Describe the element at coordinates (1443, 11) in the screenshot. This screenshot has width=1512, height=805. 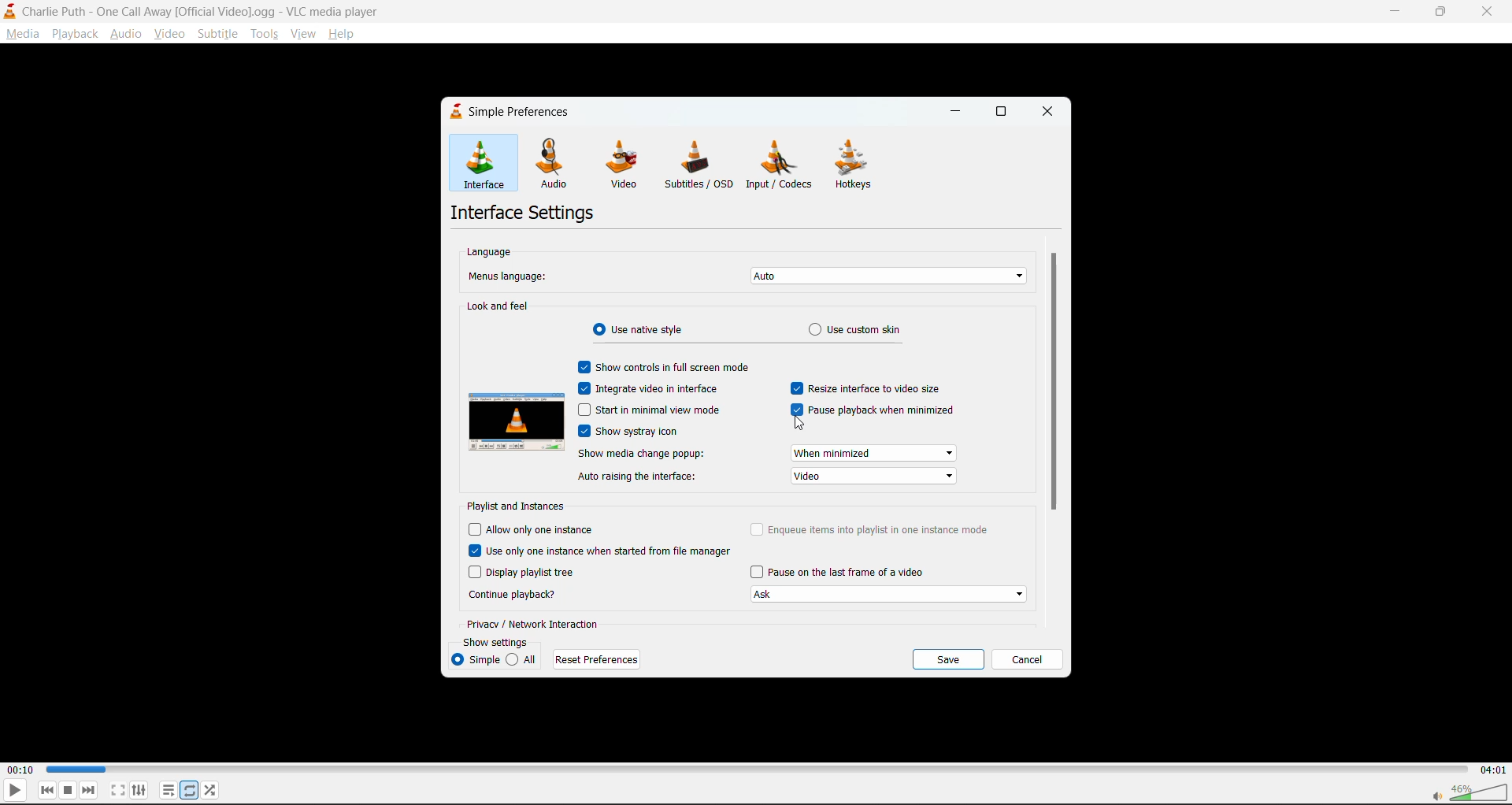
I see `maximize` at that location.